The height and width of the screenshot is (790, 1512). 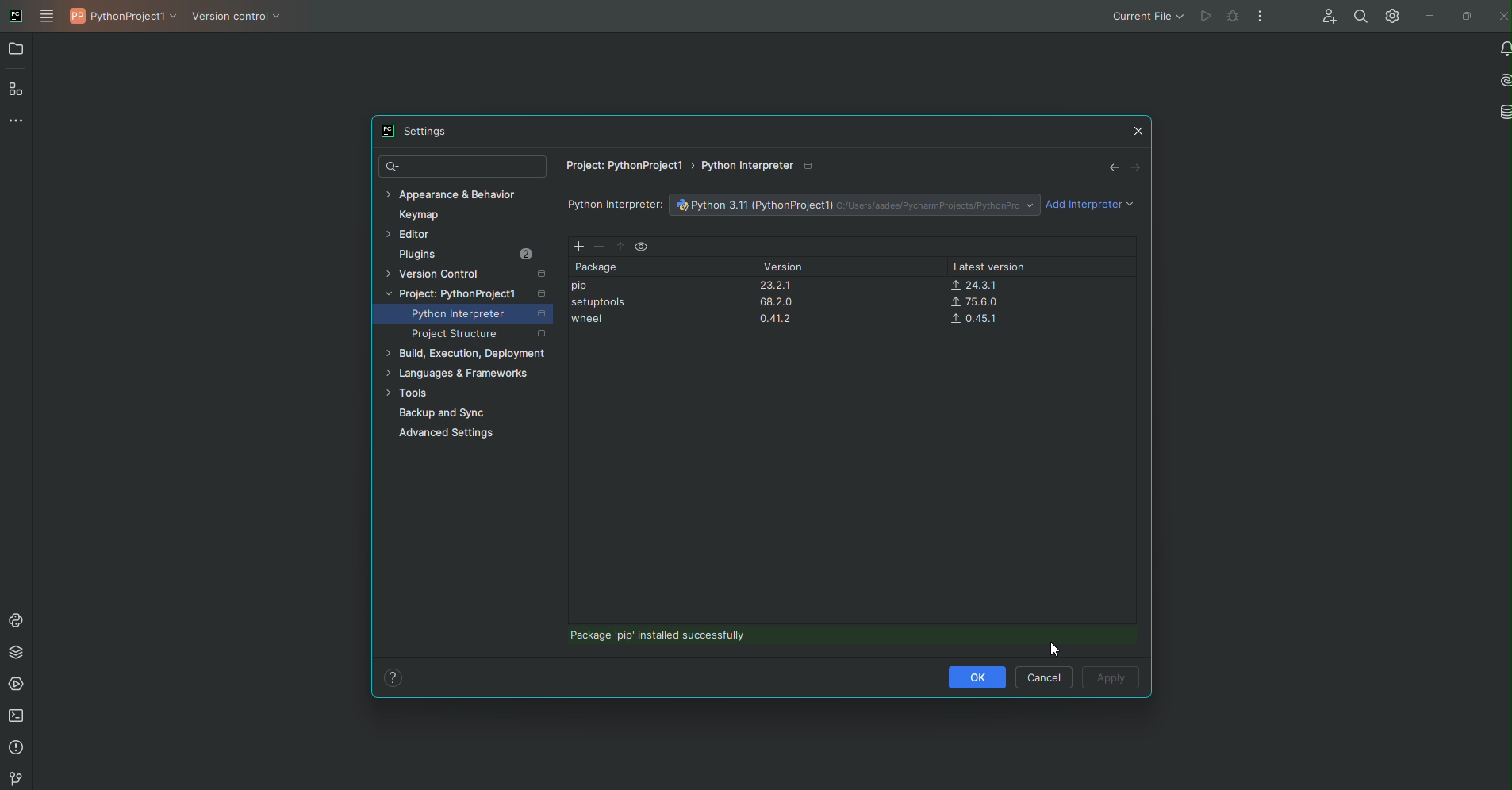 What do you see at coordinates (392, 677) in the screenshot?
I see `Help` at bounding box center [392, 677].